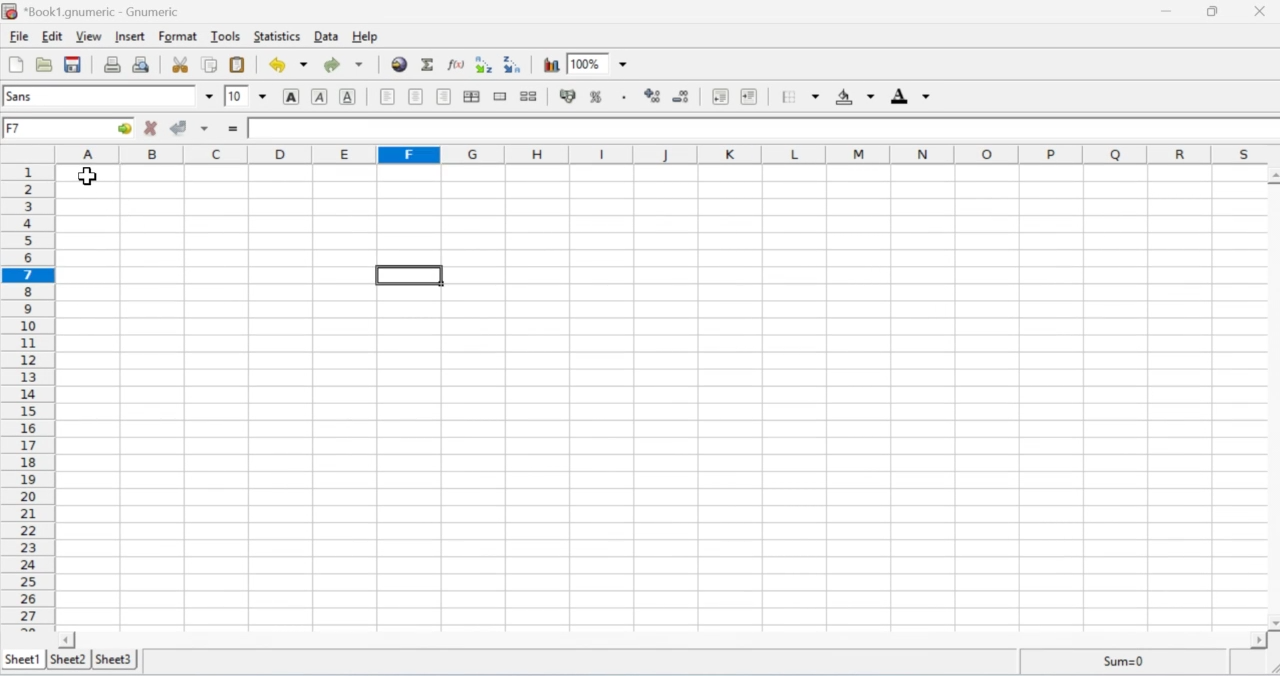  I want to click on Sum=0, so click(1136, 662).